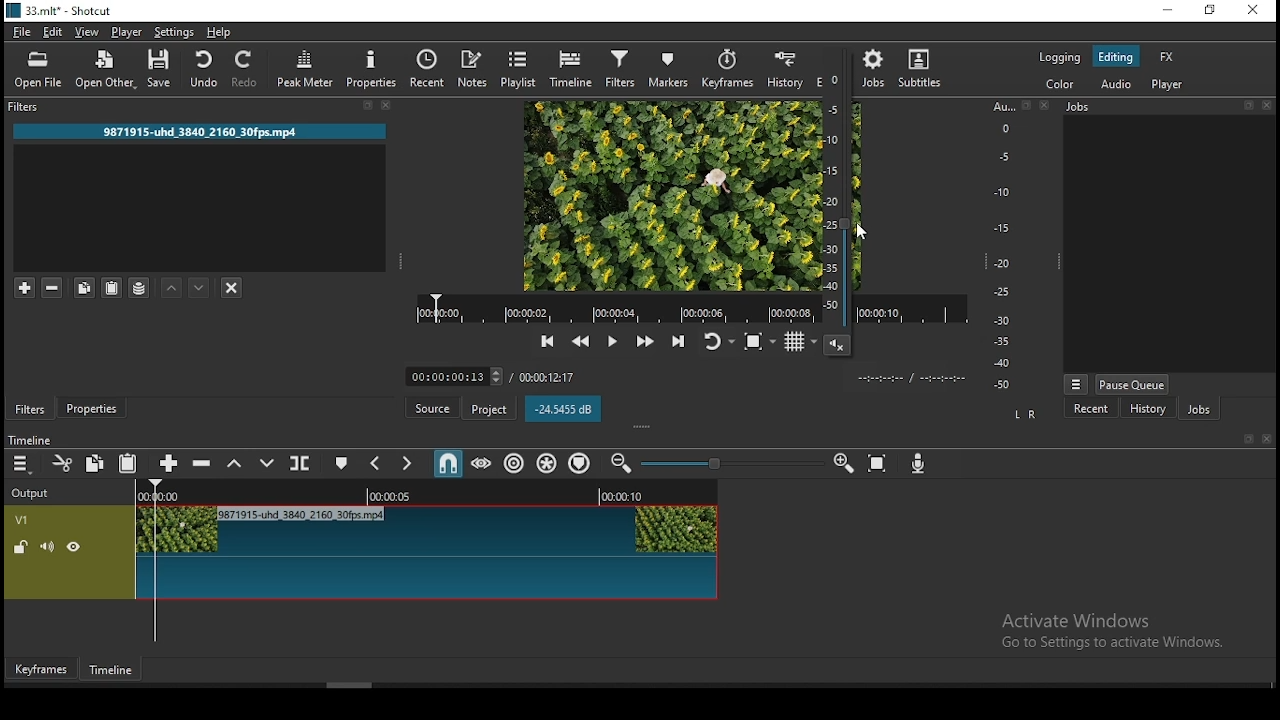 Image resolution: width=1280 pixels, height=720 pixels. I want to click on jobs, so click(877, 69).